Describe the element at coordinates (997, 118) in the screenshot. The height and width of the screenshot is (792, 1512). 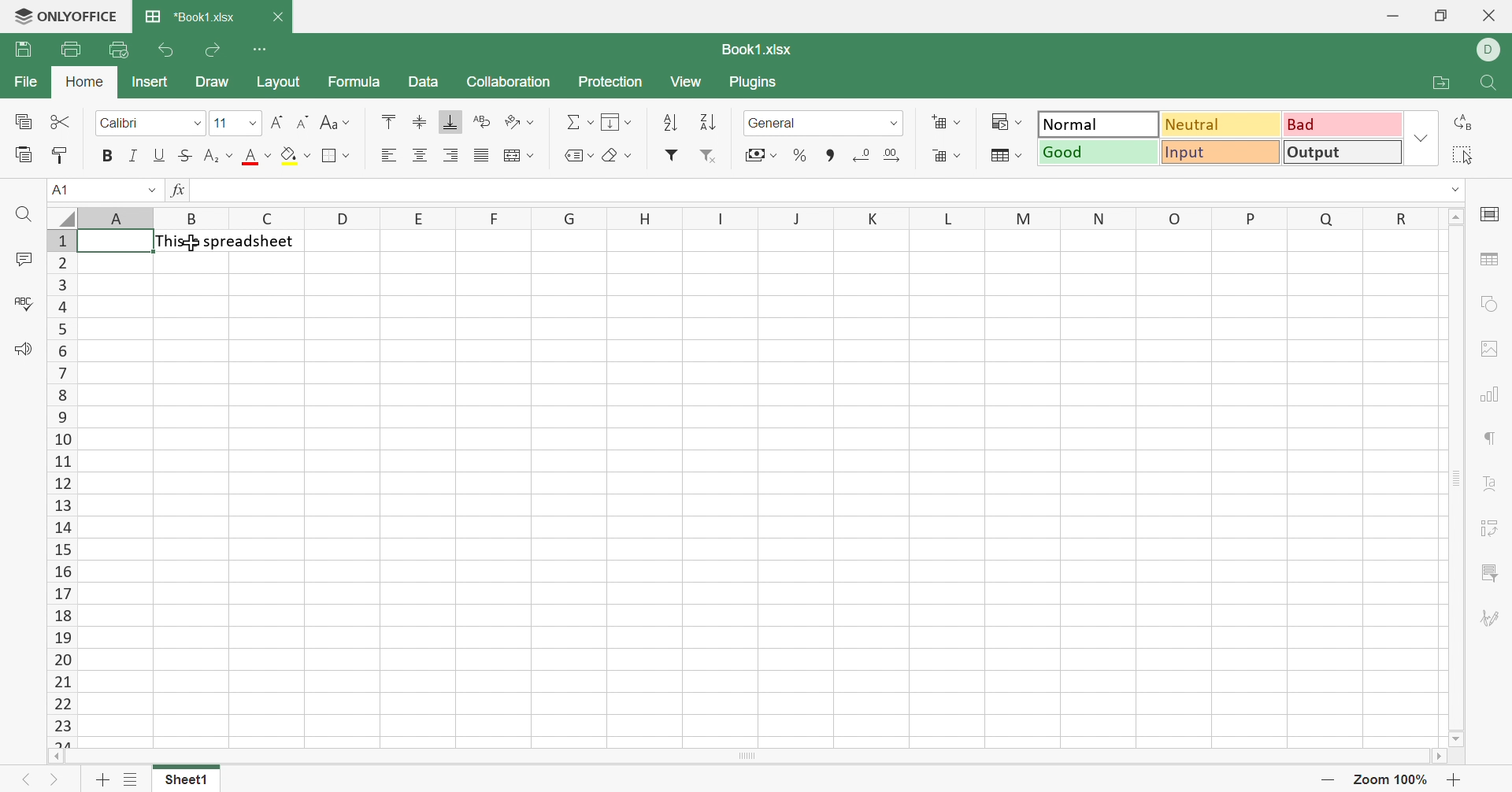
I see `Conditional formatting` at that location.